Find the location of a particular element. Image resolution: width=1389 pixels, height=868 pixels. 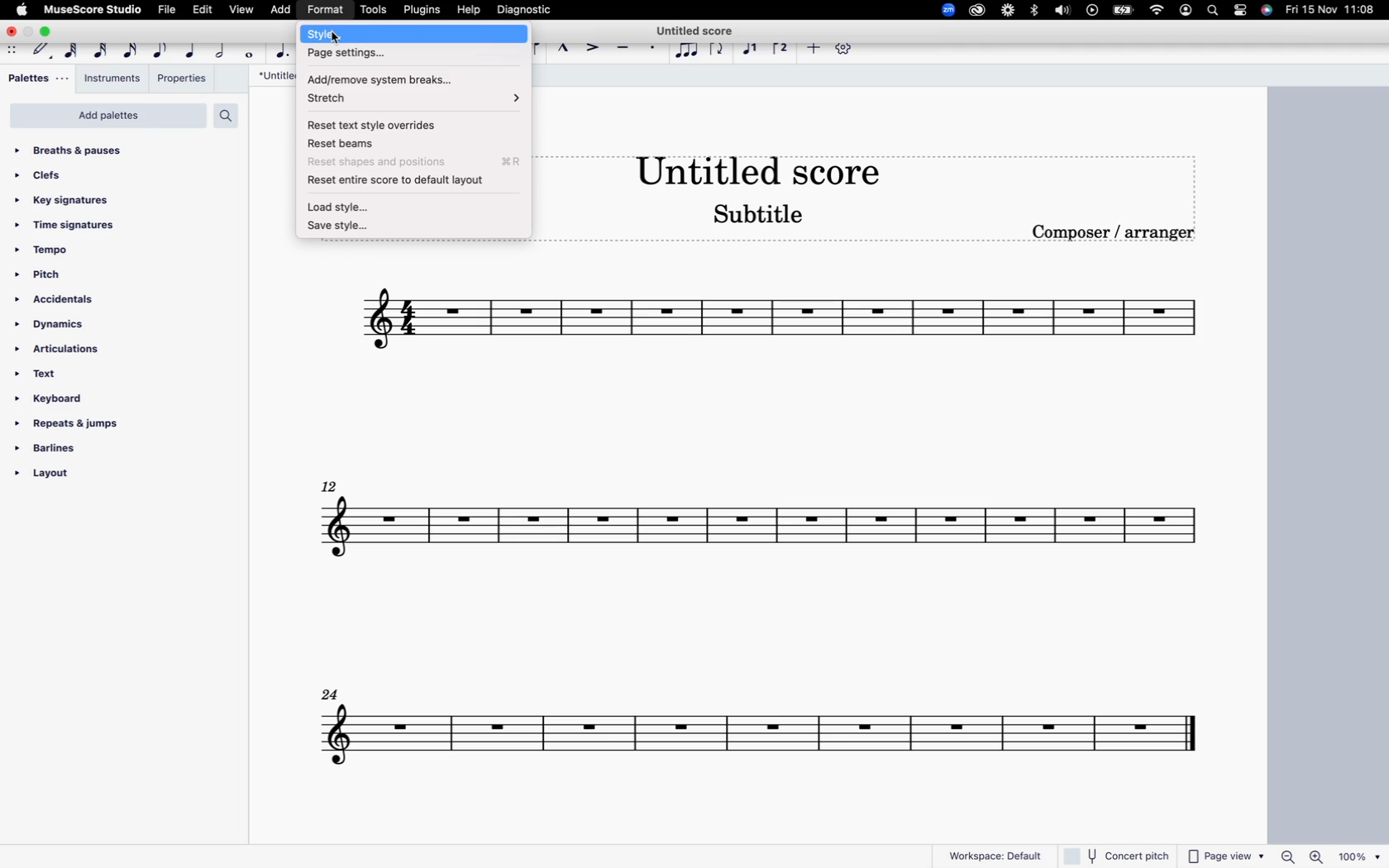

instruments is located at coordinates (114, 79).